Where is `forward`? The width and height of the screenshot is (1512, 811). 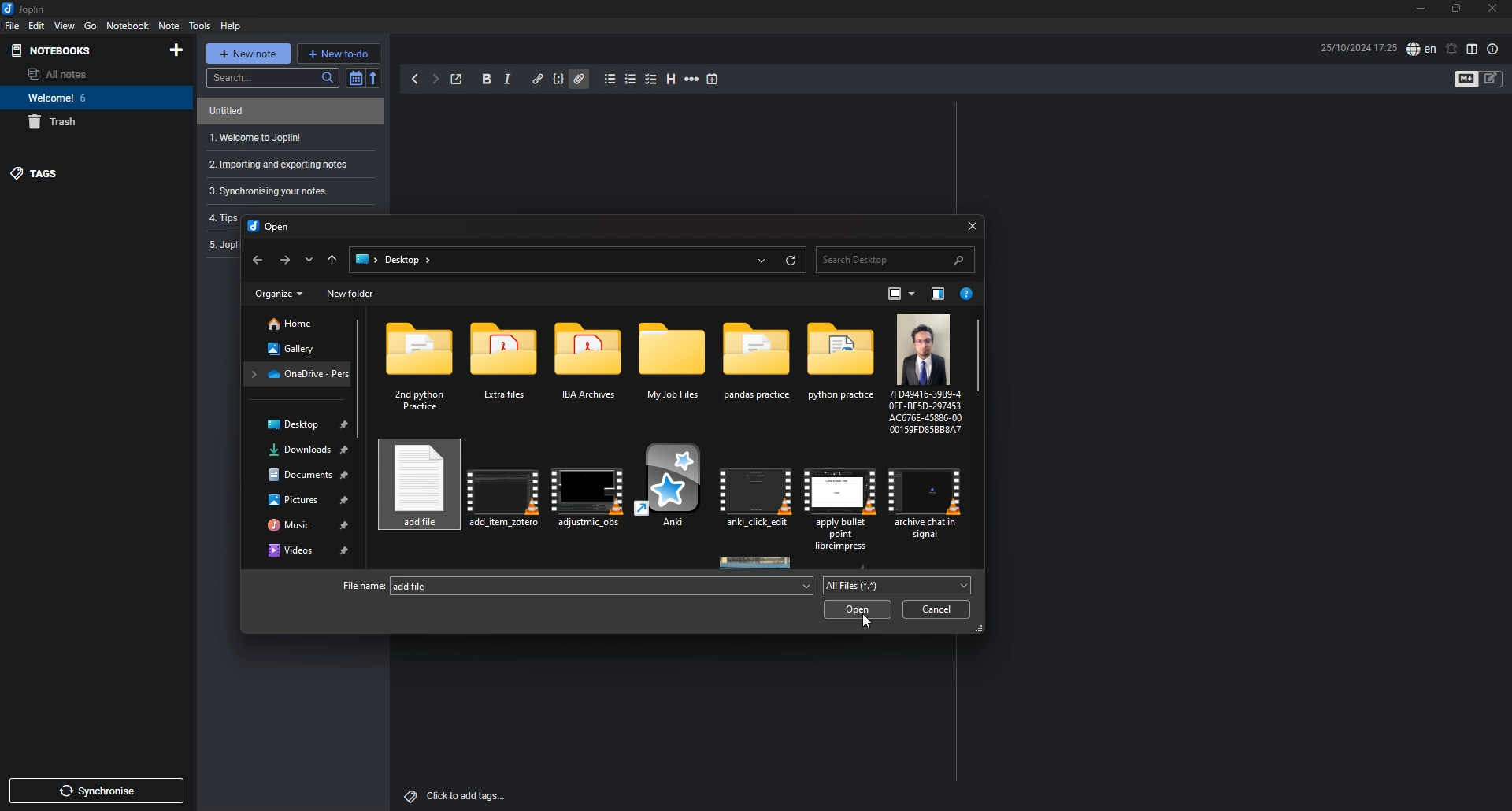
forward is located at coordinates (435, 79).